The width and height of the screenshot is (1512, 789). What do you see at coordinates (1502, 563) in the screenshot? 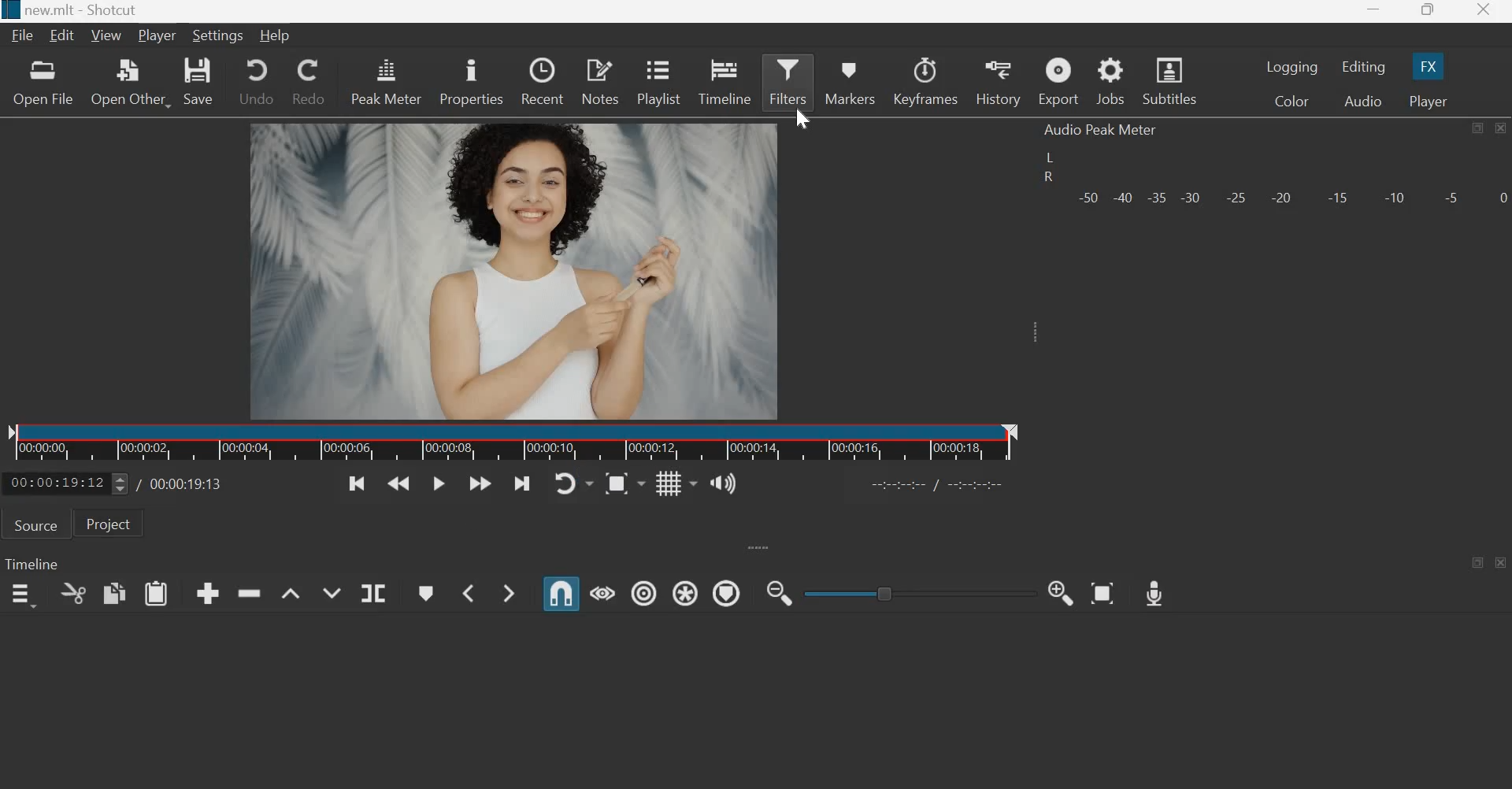
I see `close` at bounding box center [1502, 563].